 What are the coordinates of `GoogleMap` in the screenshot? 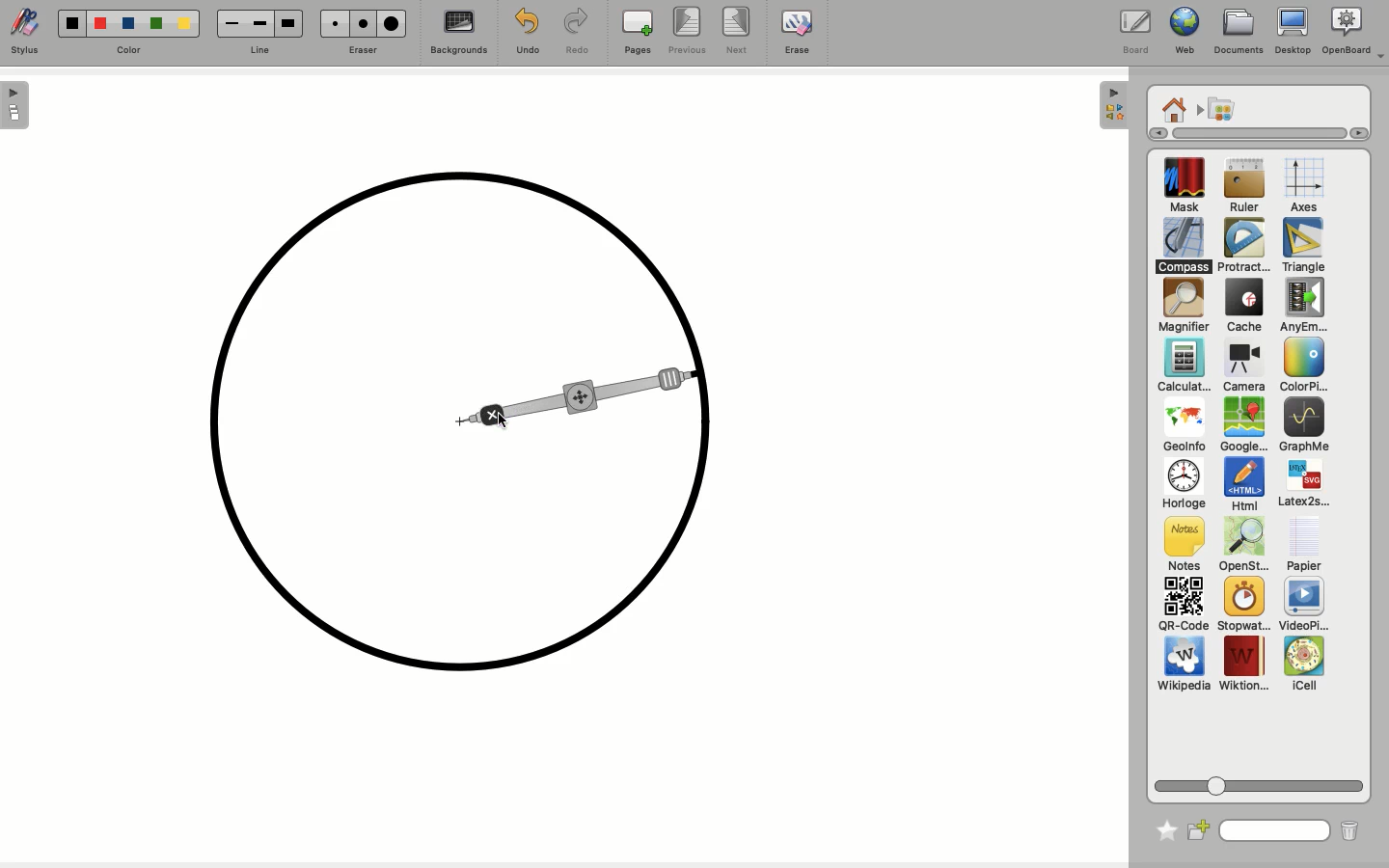 It's located at (1243, 426).